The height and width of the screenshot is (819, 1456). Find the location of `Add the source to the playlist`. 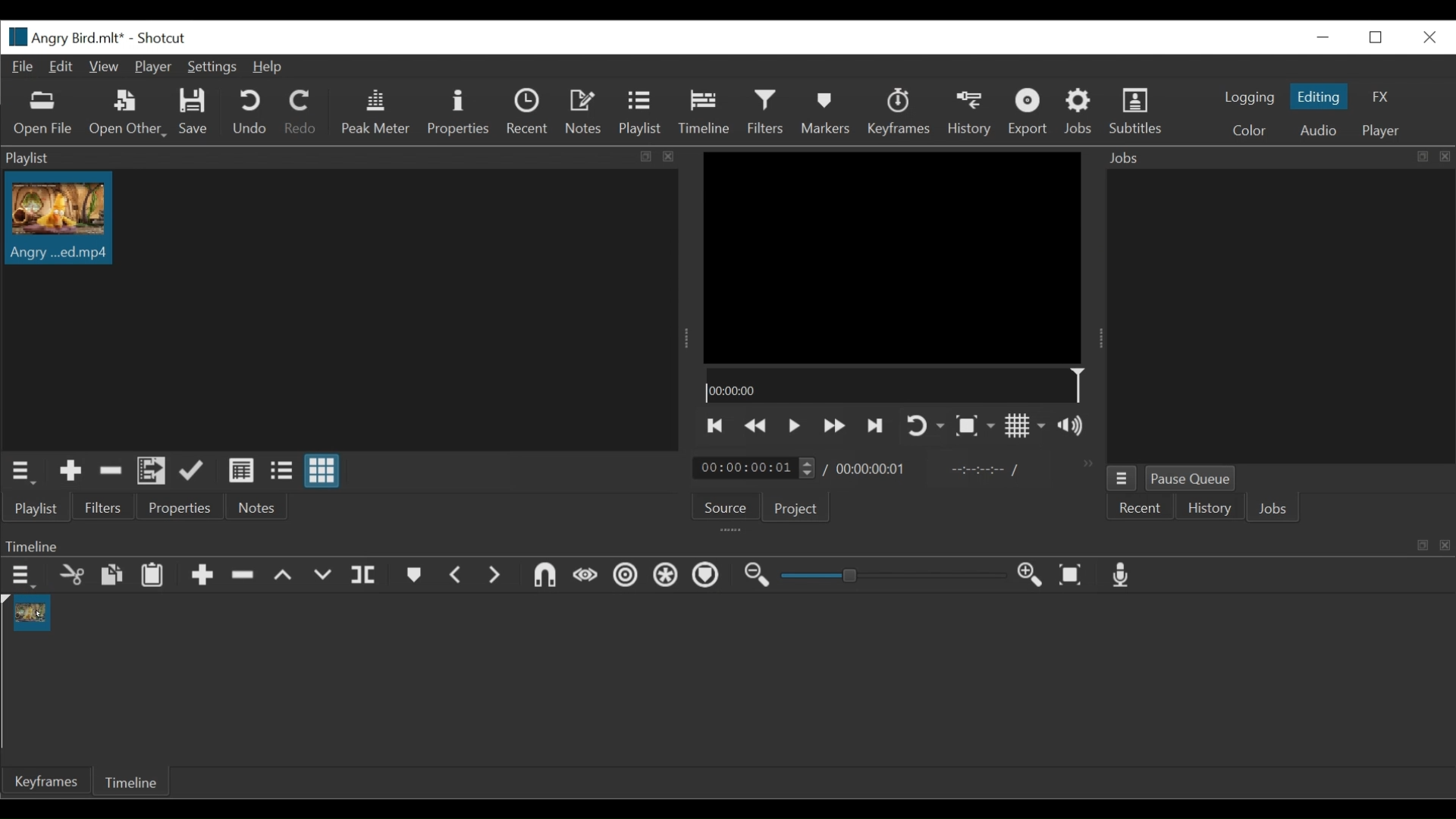

Add the source to the playlist is located at coordinates (69, 473).